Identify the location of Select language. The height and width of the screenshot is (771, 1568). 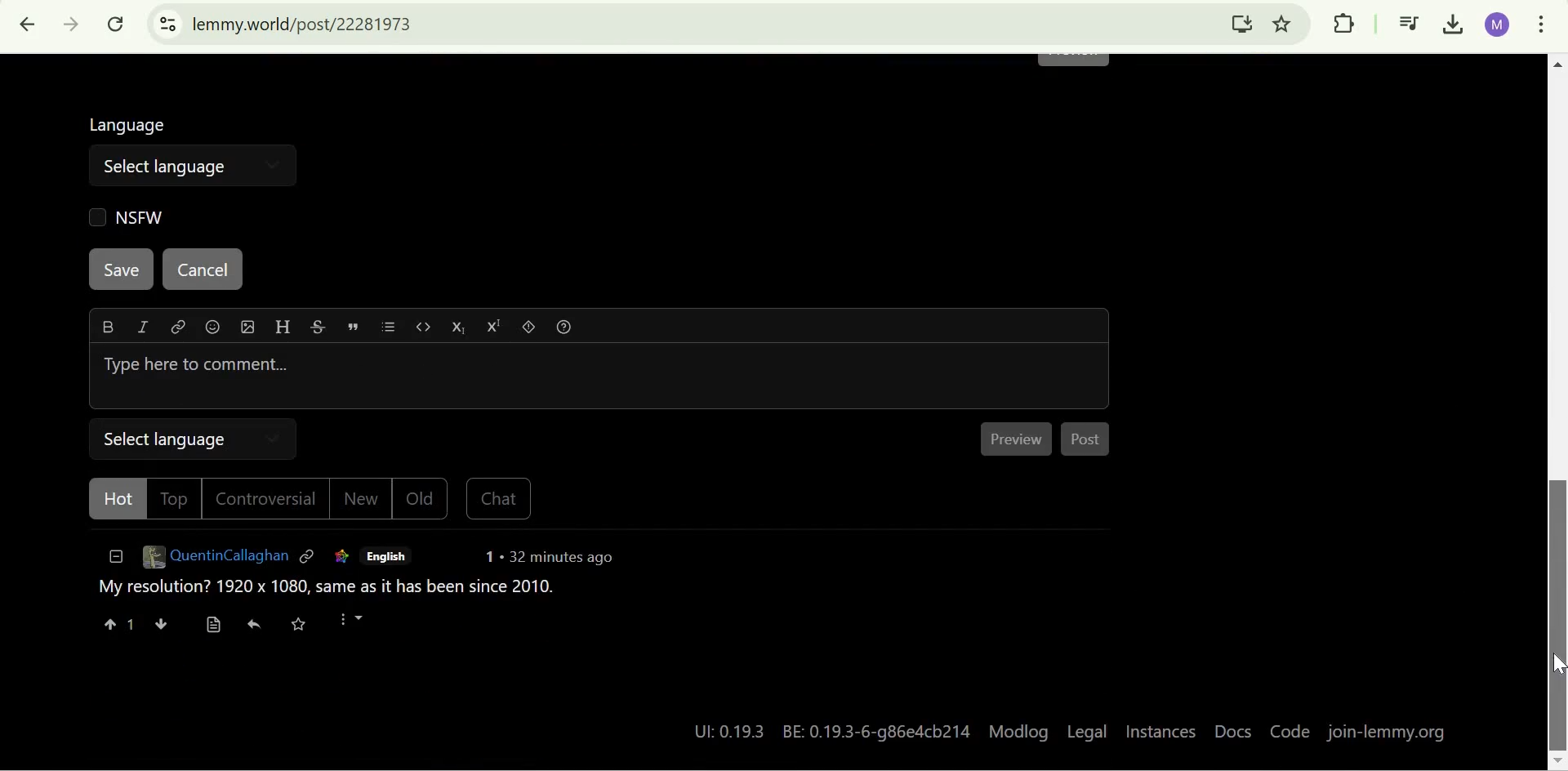
(198, 165).